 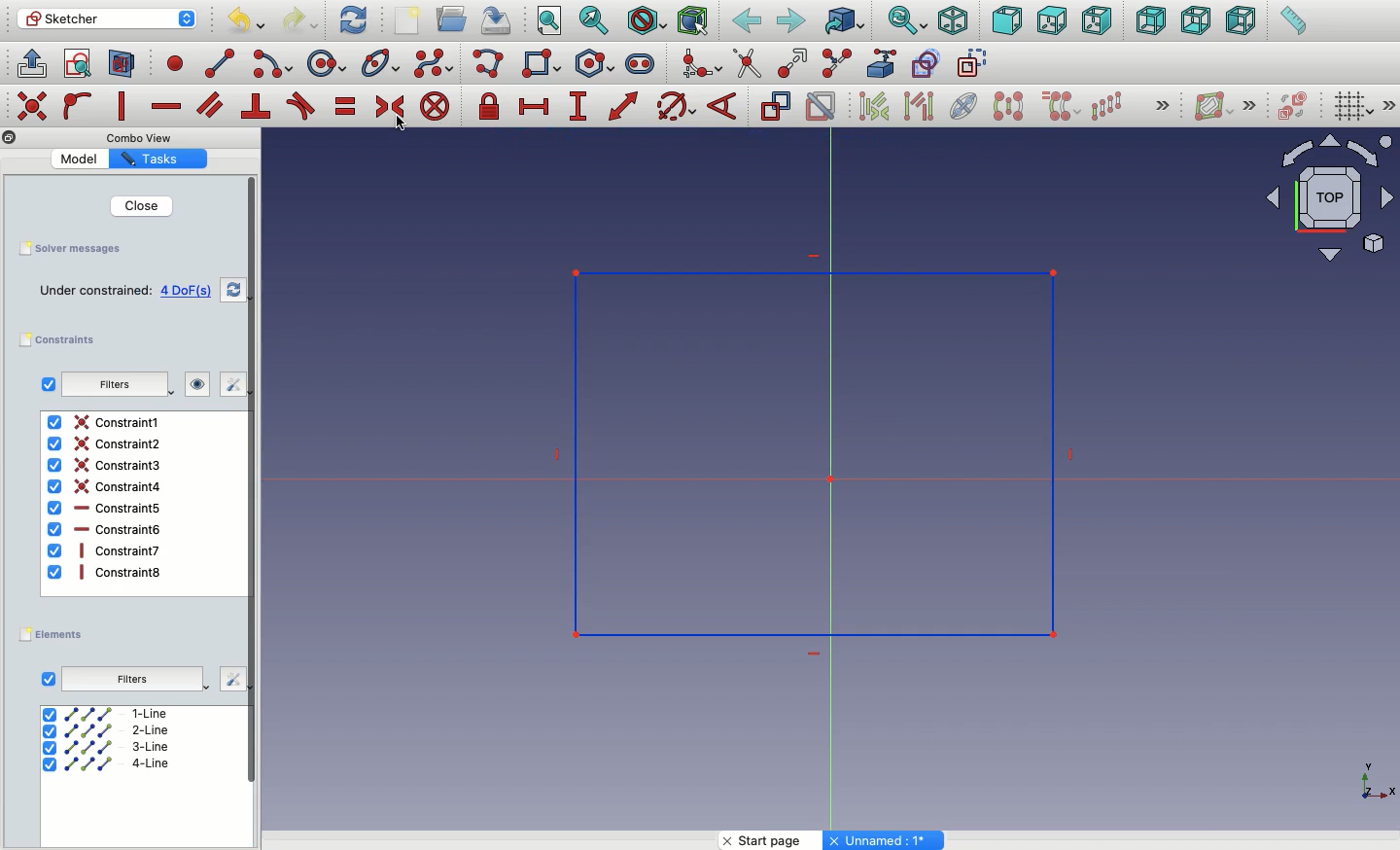 What do you see at coordinates (594, 20) in the screenshot?
I see `Fit selection` at bounding box center [594, 20].